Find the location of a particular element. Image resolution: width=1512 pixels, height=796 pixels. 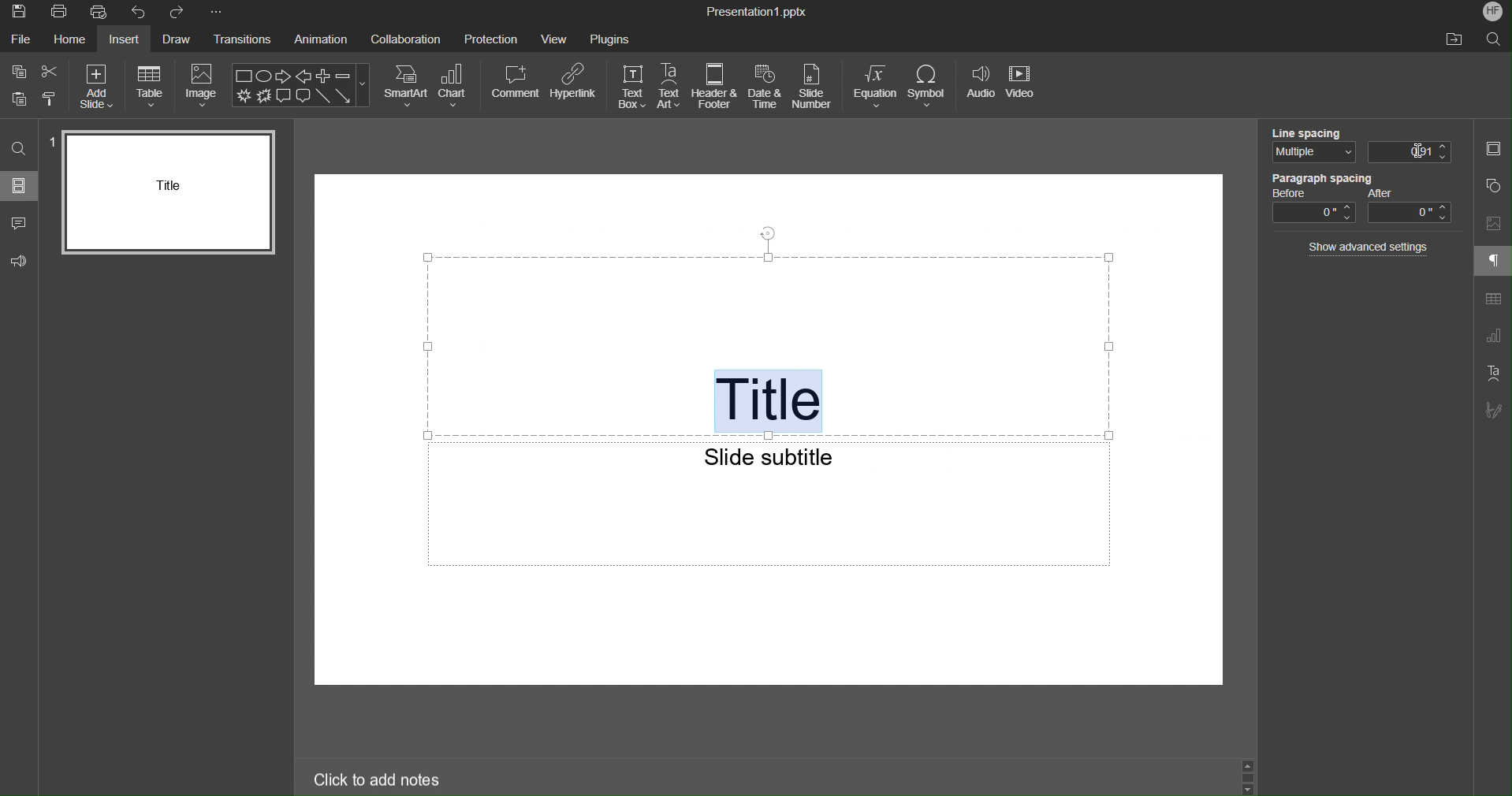

Image Settings is located at coordinates (1492, 224).